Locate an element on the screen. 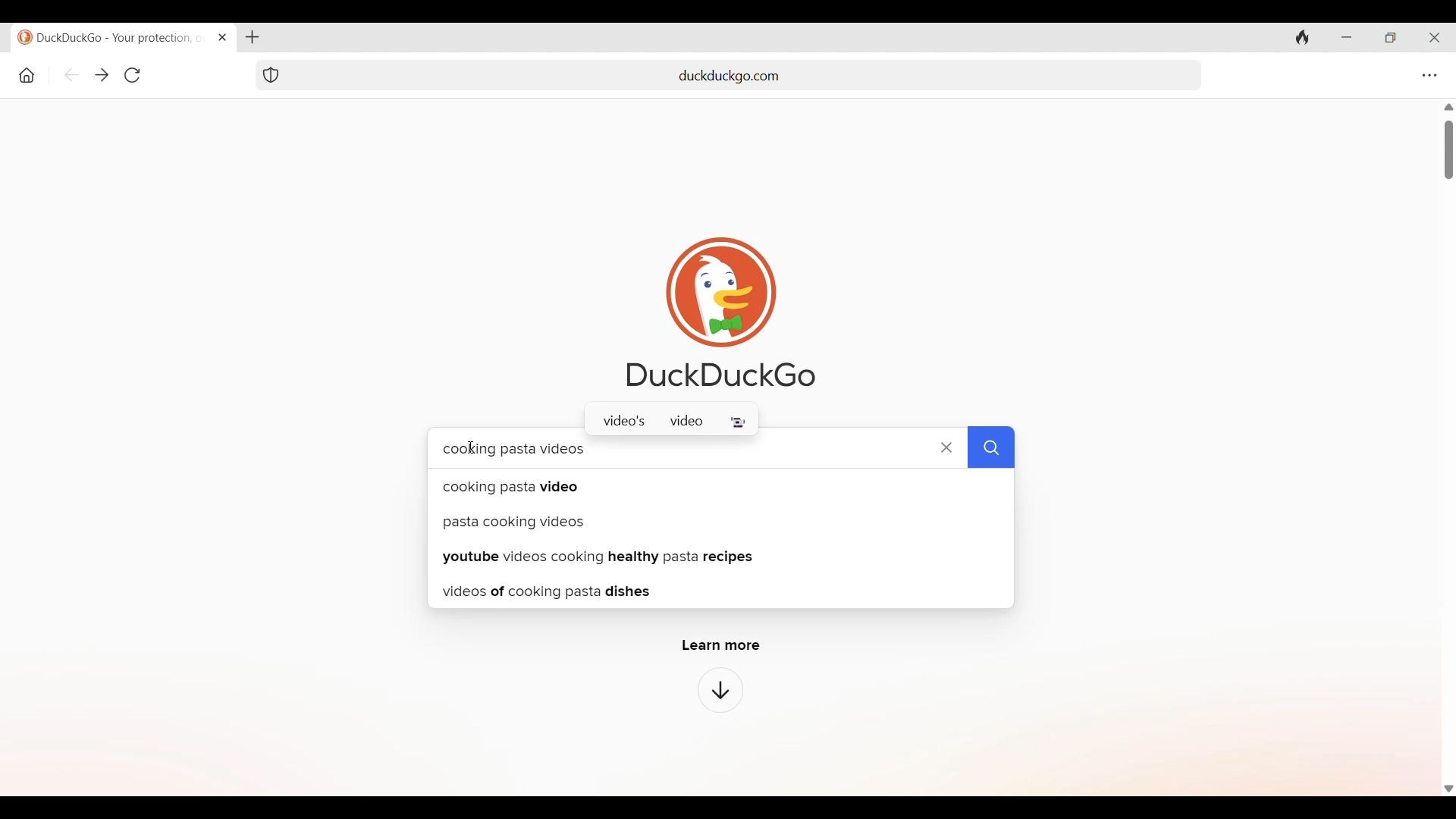 The width and height of the screenshot is (1456, 819). Learn more is located at coordinates (722, 646).